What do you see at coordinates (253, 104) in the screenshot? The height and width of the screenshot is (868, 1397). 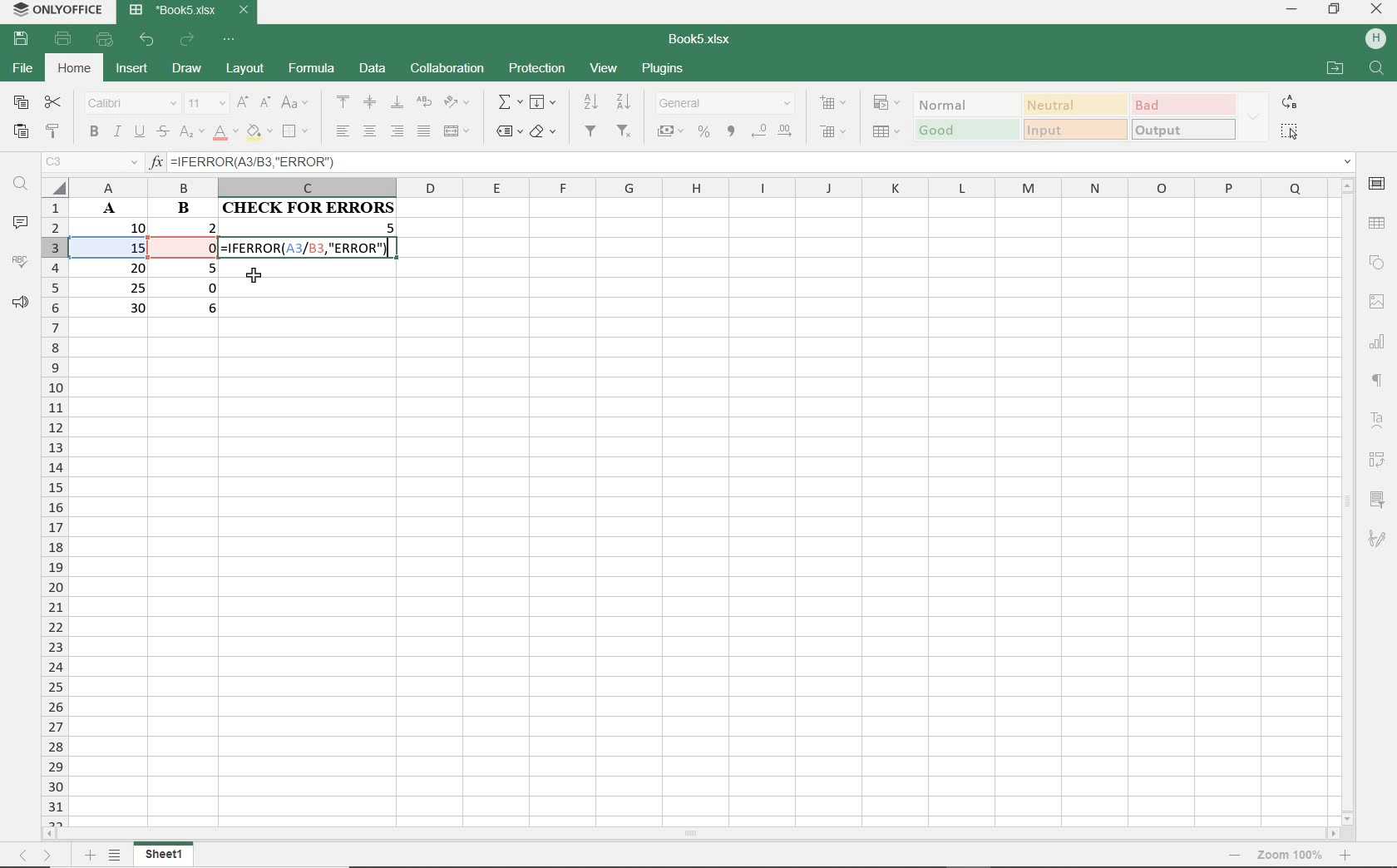 I see `INCREMENT OR DECREMENT FONT SIZE` at bounding box center [253, 104].